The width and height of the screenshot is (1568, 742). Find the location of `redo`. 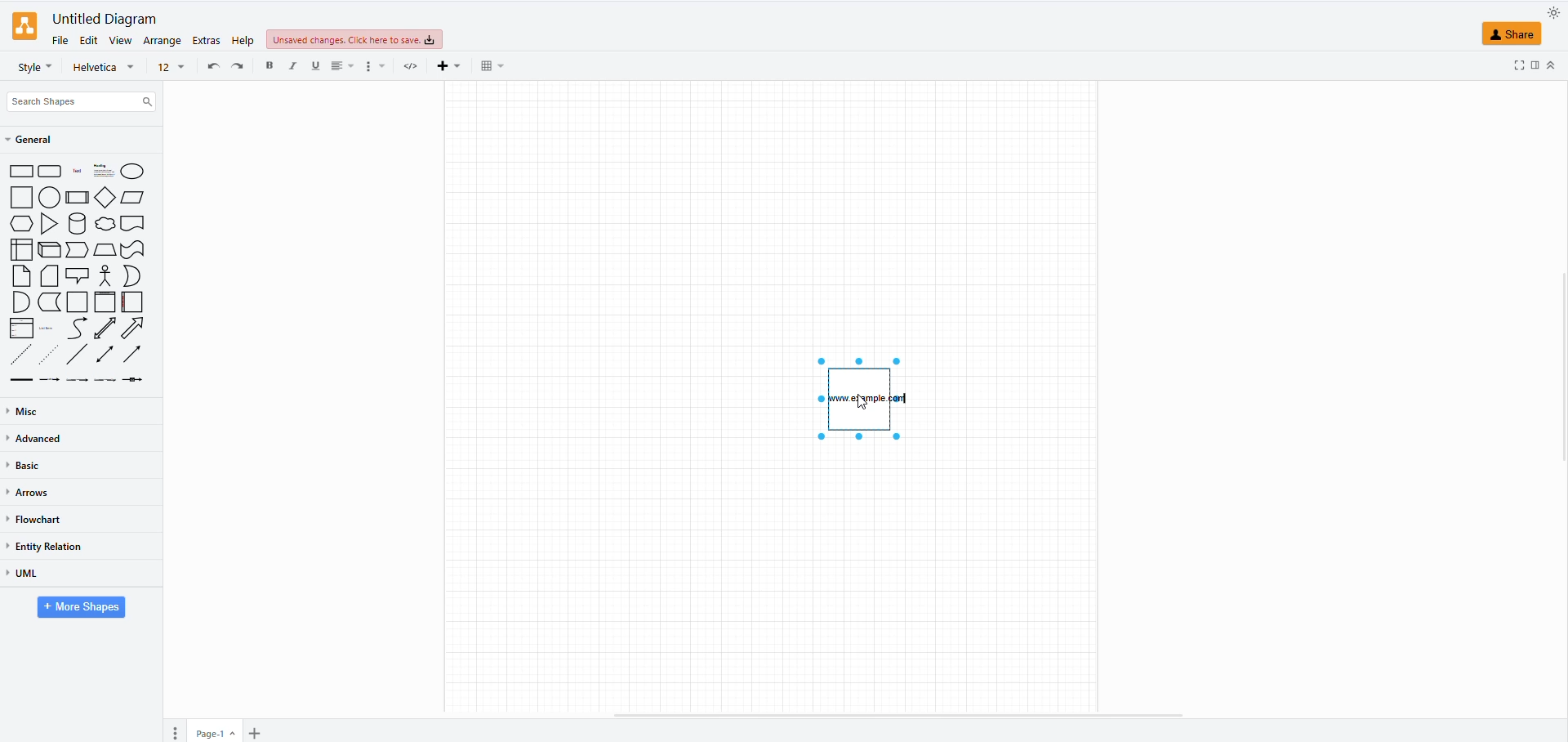

redo is located at coordinates (242, 69).